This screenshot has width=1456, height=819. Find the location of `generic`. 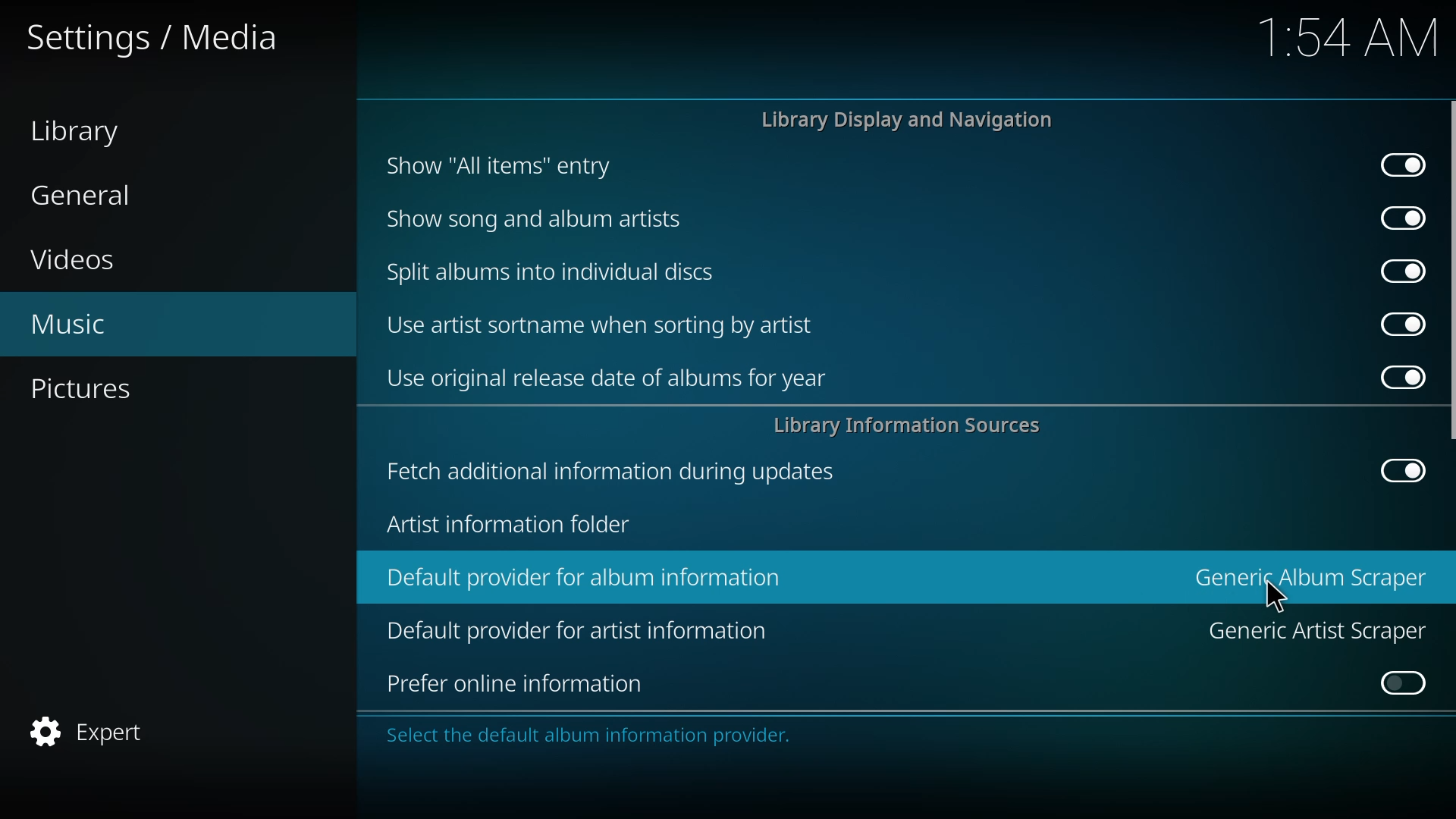

generic is located at coordinates (1311, 629).